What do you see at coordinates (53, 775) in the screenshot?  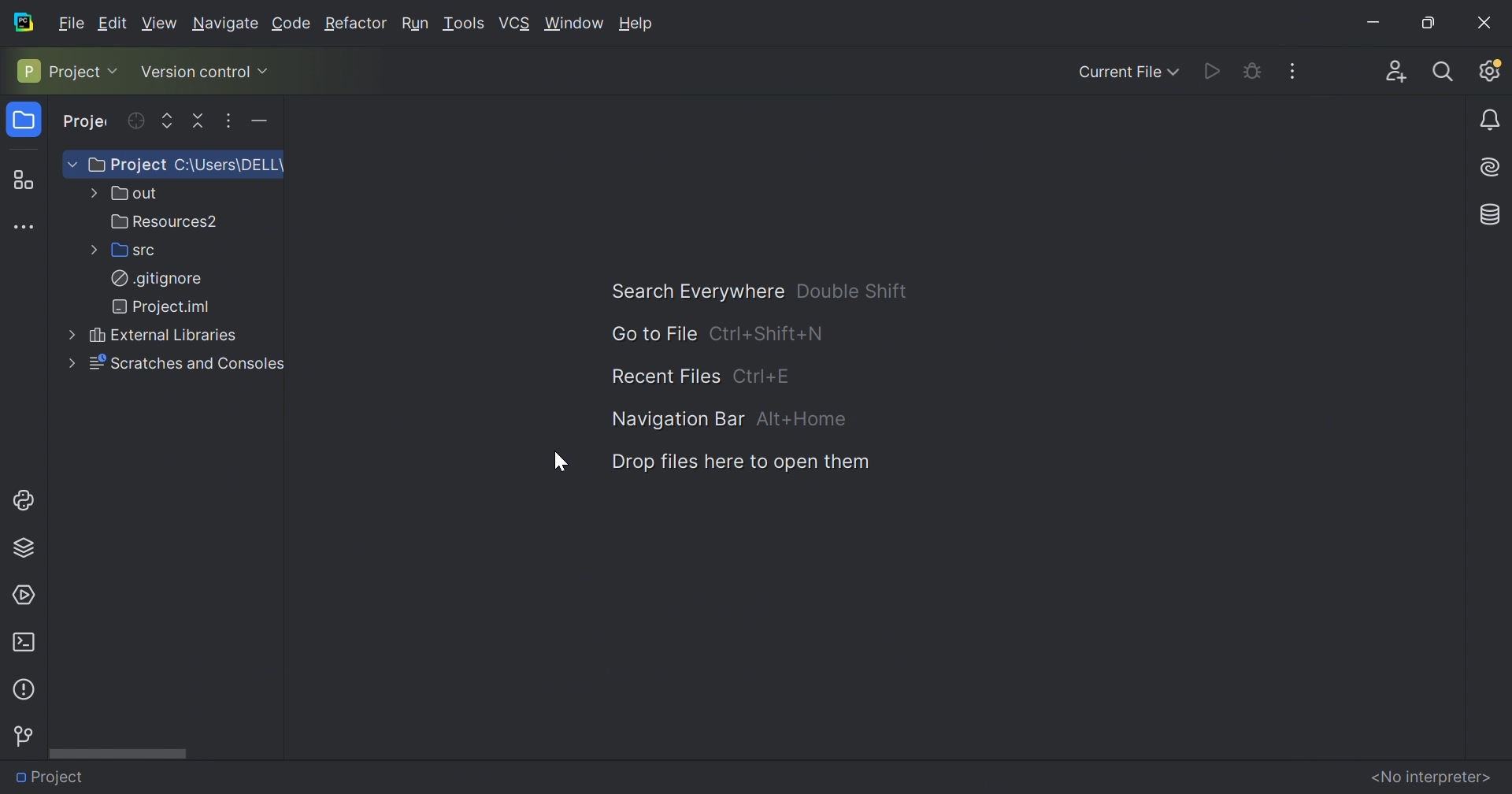 I see `Project` at bounding box center [53, 775].